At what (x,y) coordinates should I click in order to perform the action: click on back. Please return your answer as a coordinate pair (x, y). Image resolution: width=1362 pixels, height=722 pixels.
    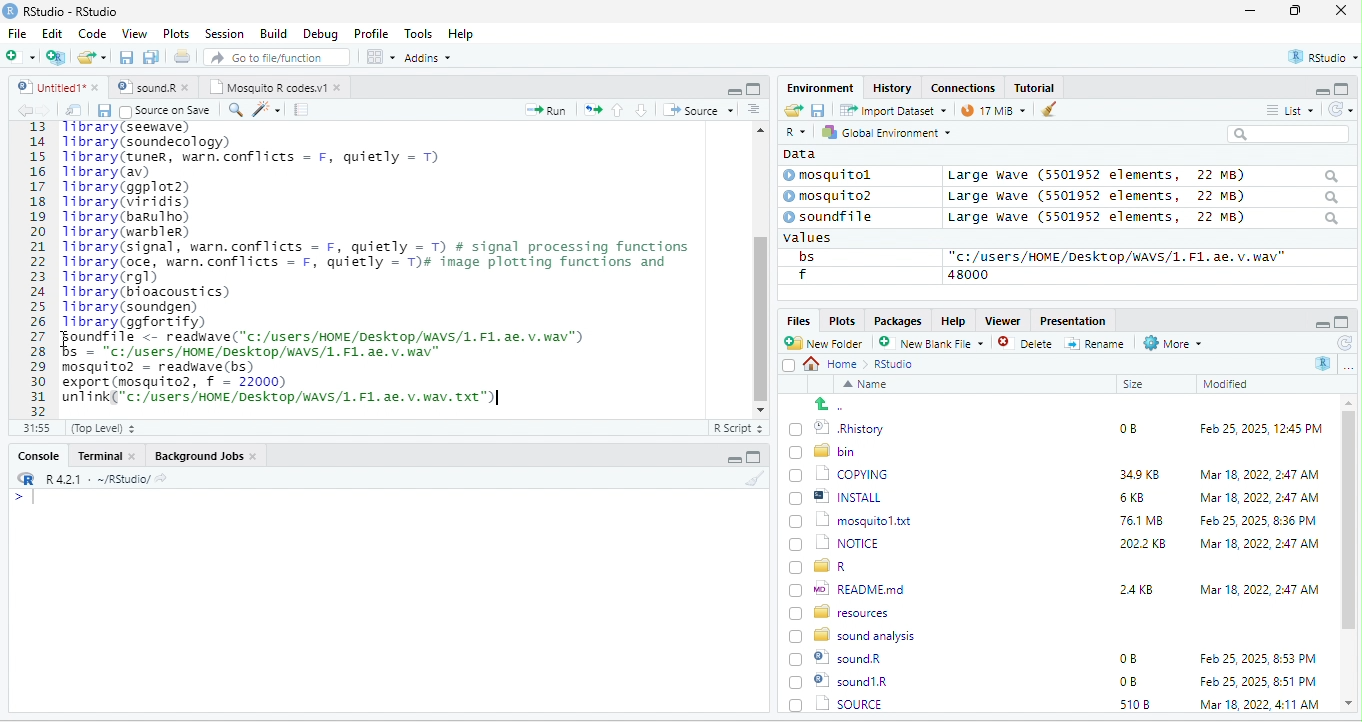
    Looking at the image, I should click on (28, 111).